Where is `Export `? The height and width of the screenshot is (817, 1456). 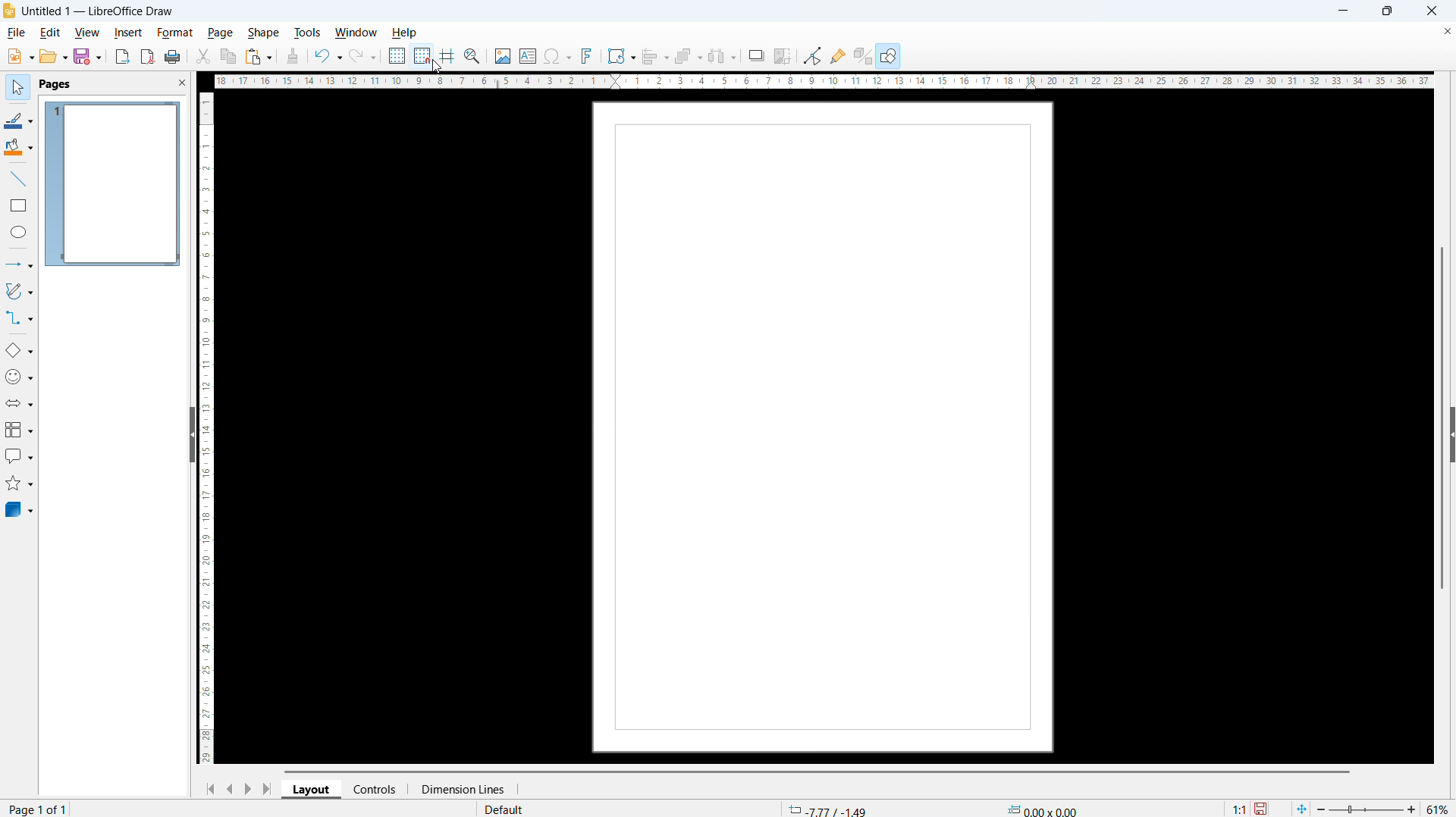 Export  is located at coordinates (123, 55).